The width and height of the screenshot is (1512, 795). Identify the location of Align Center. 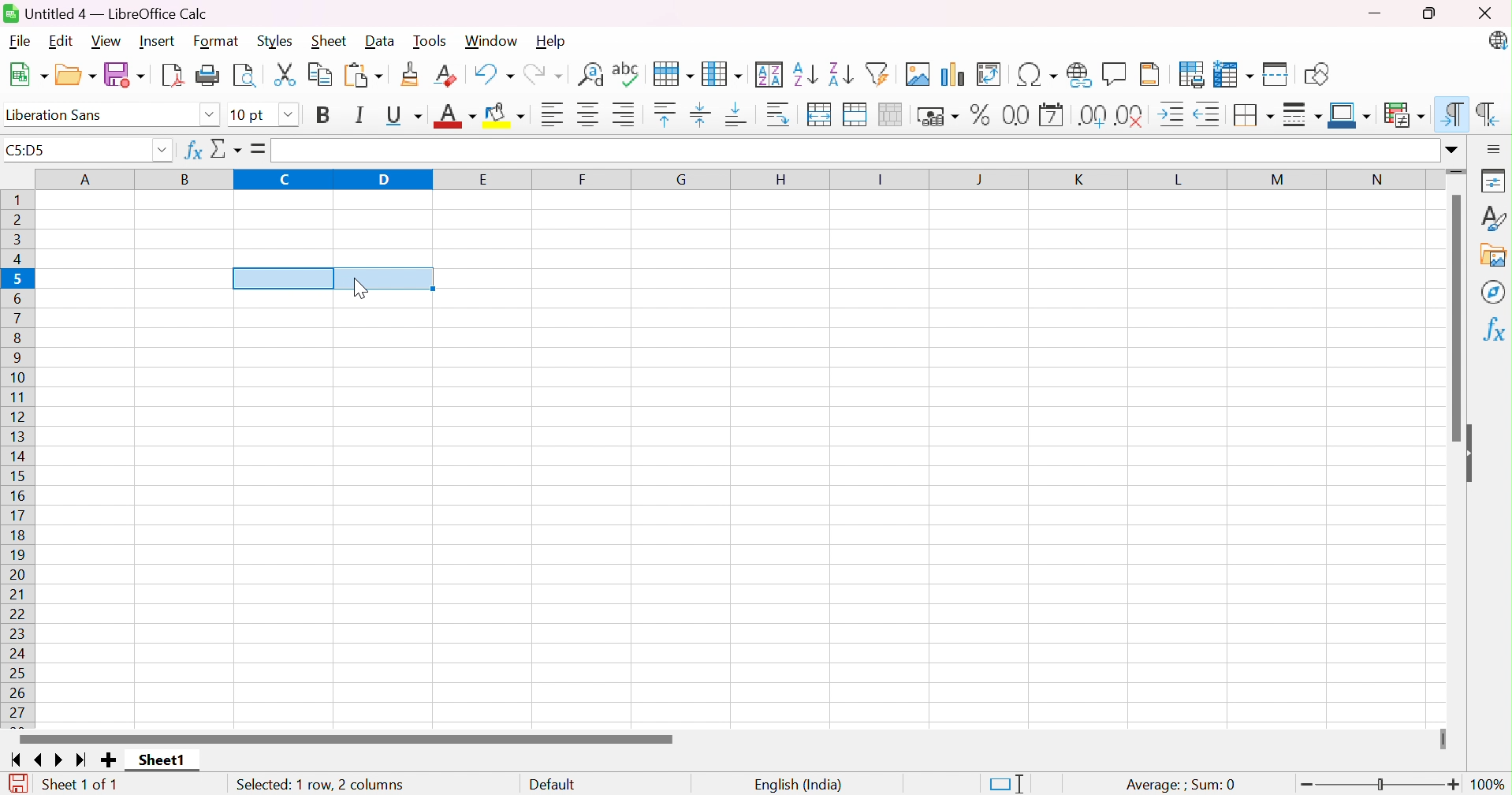
(587, 114).